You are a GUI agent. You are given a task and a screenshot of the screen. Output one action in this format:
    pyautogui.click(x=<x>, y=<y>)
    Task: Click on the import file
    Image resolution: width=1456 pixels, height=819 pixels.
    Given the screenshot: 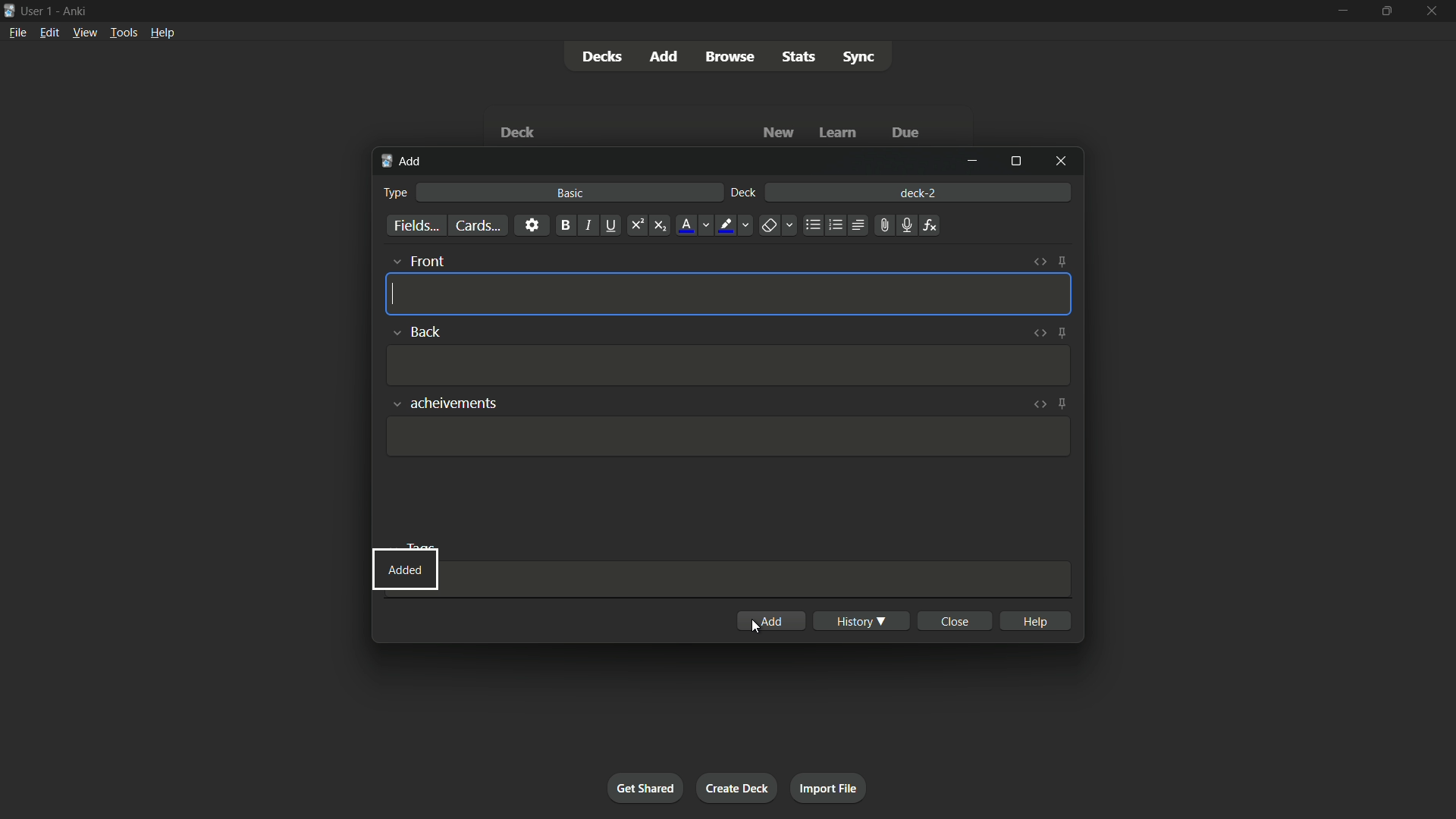 What is the action you would take?
    pyautogui.click(x=830, y=789)
    